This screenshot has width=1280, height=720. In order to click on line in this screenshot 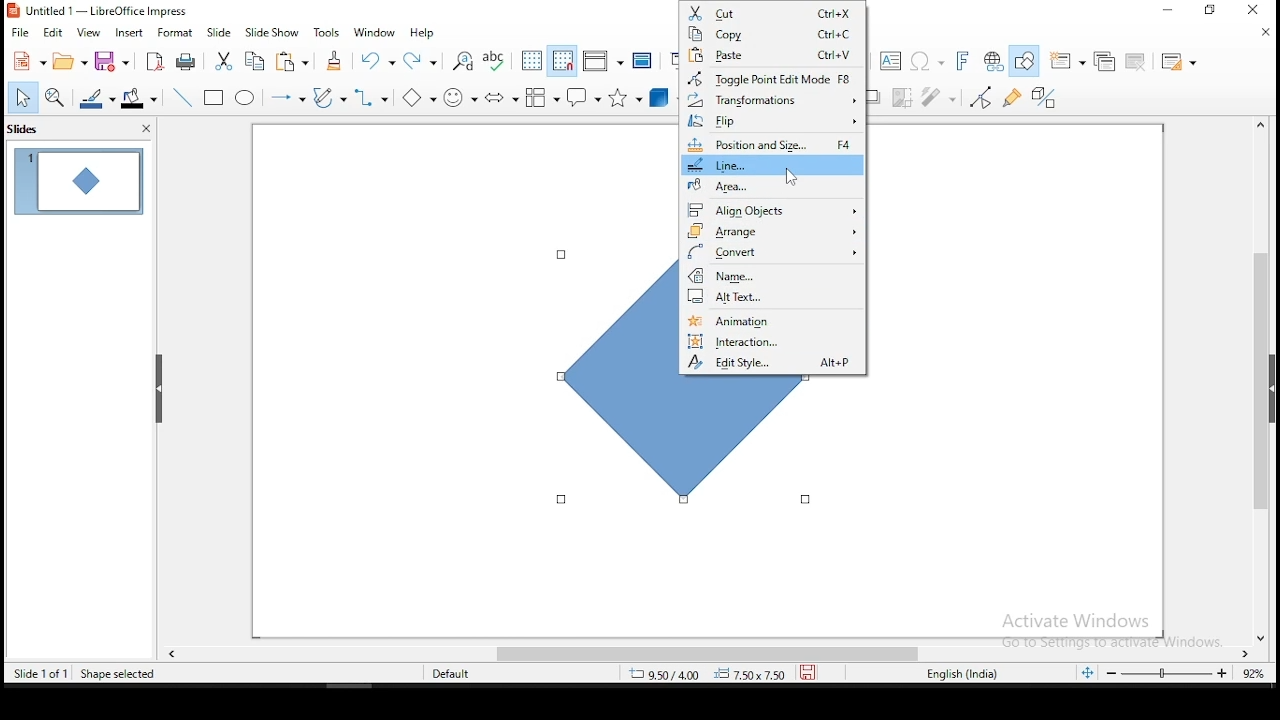, I will do `click(773, 164)`.